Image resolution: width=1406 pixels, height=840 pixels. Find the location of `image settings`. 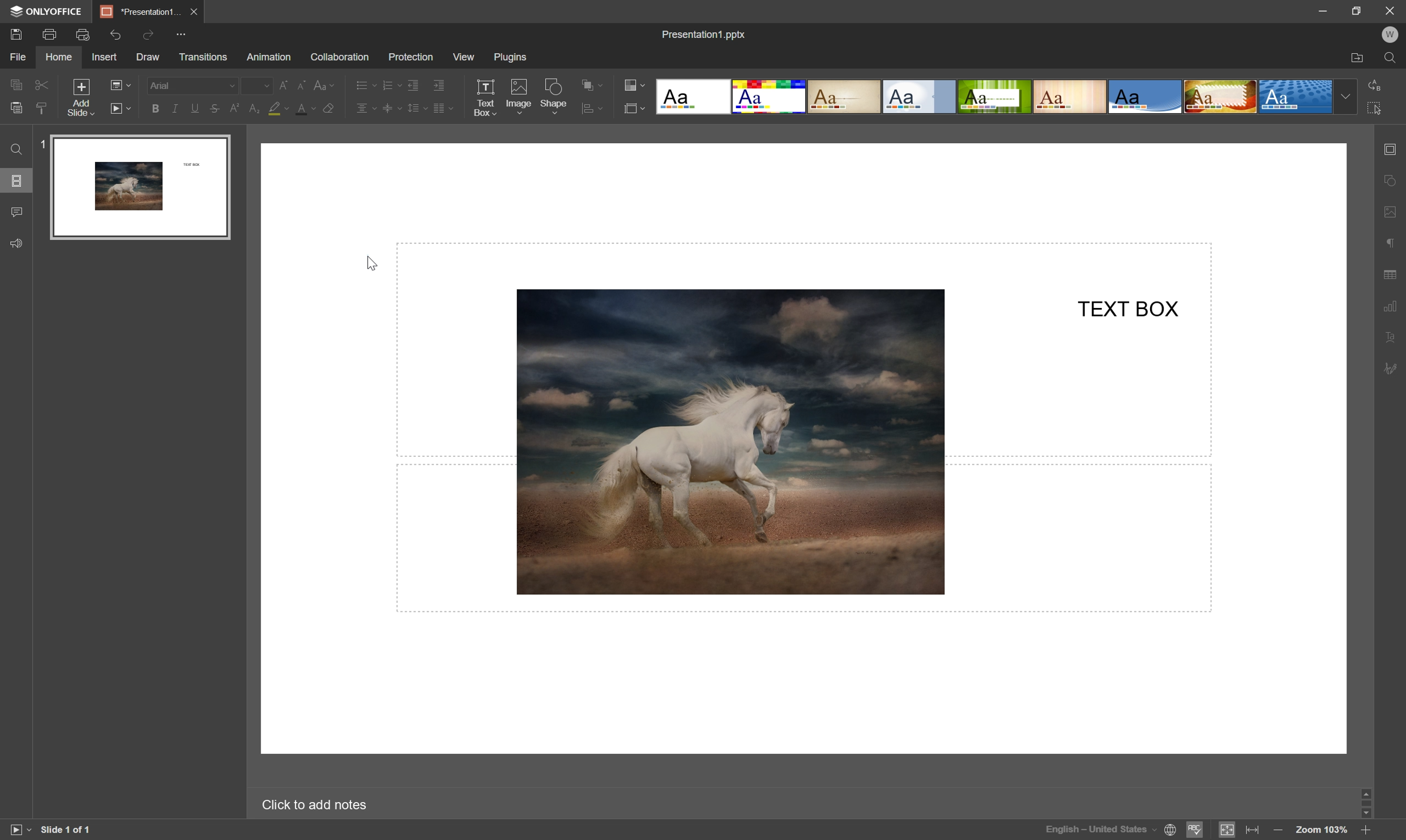

image settings is located at coordinates (1391, 213).